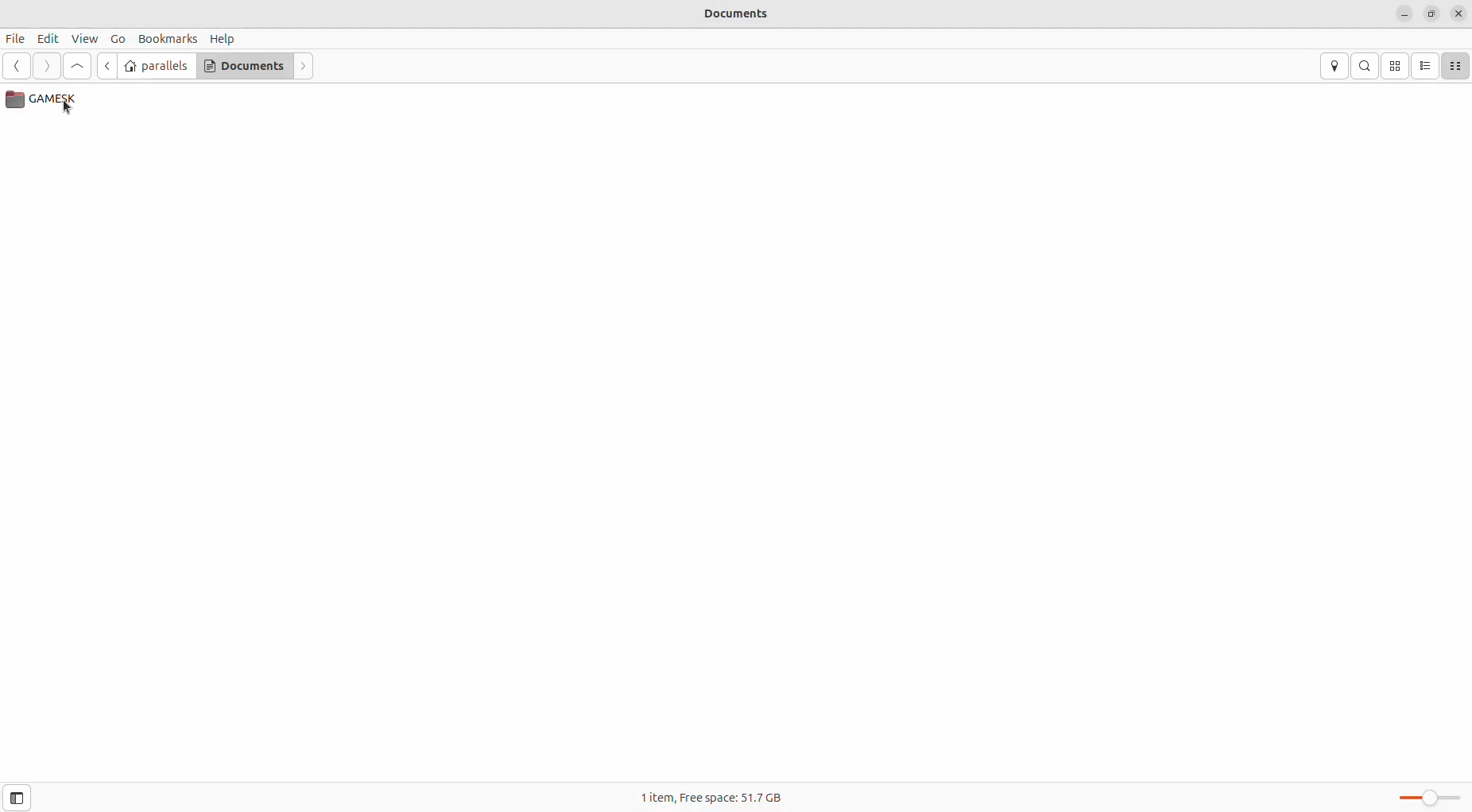 This screenshot has width=1472, height=812. I want to click on View, so click(86, 40).